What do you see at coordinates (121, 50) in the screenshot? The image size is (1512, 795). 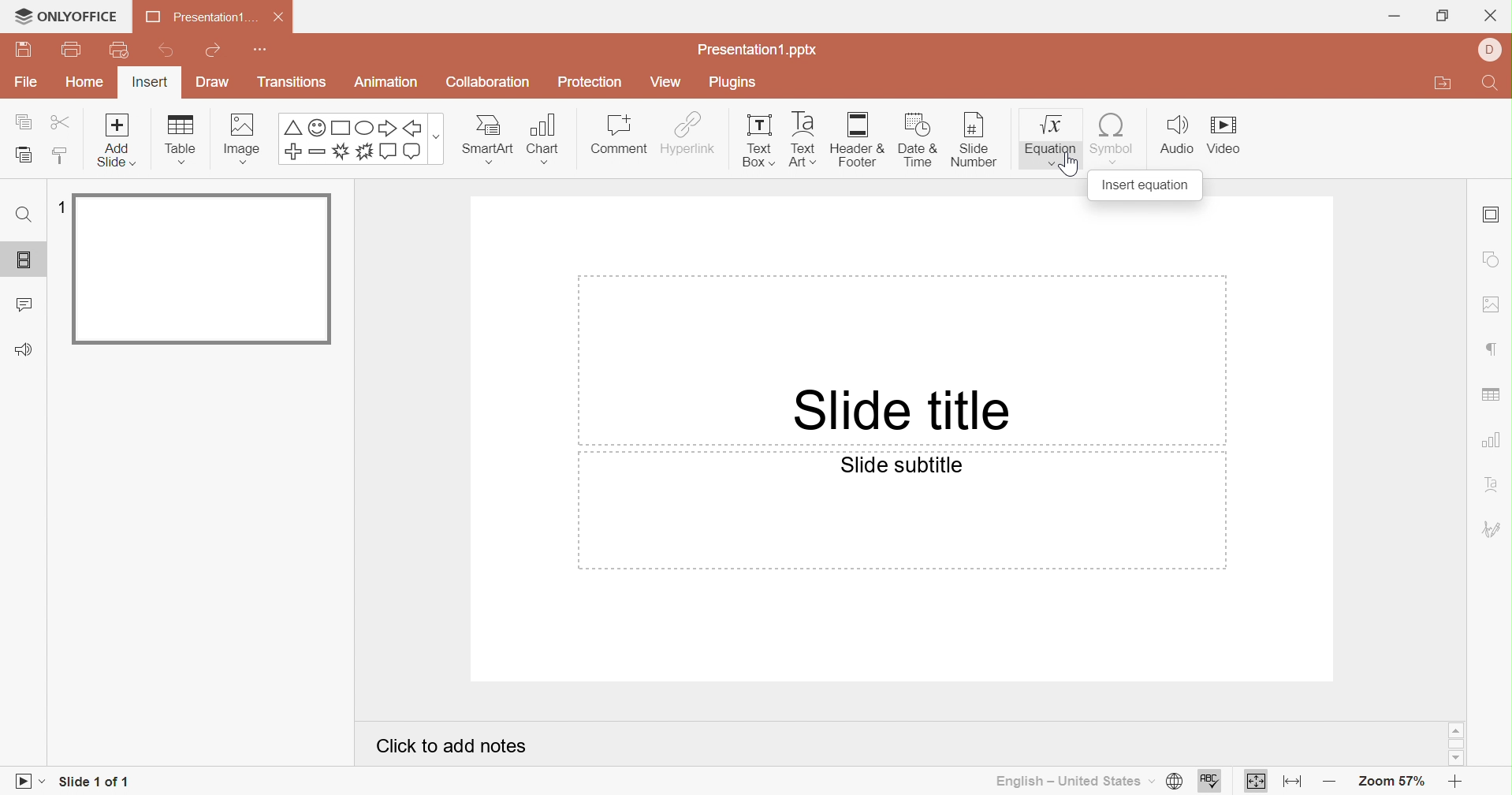 I see `Quick print` at bounding box center [121, 50].